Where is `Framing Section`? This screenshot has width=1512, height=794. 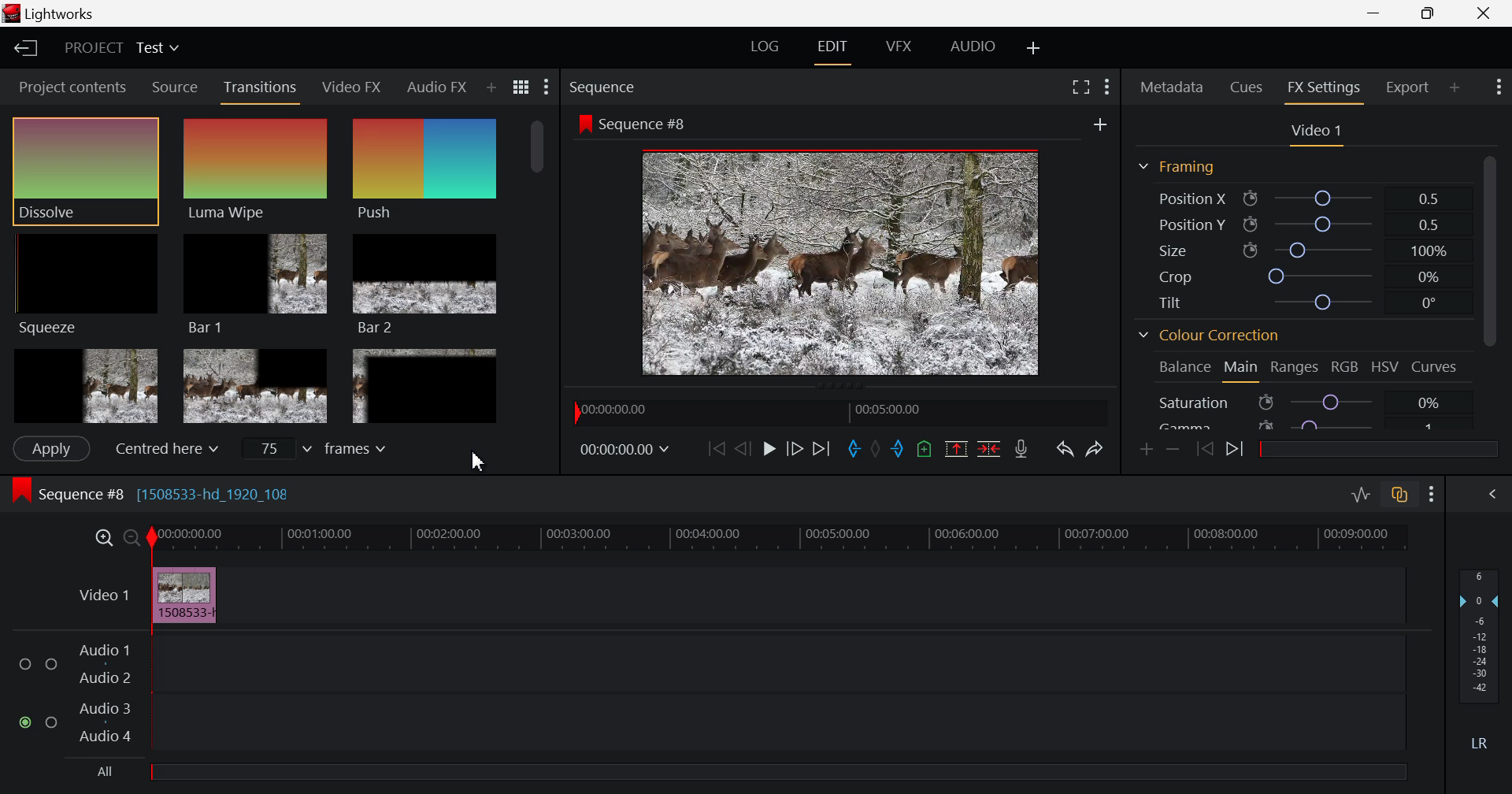
Framing Section is located at coordinates (1181, 163).